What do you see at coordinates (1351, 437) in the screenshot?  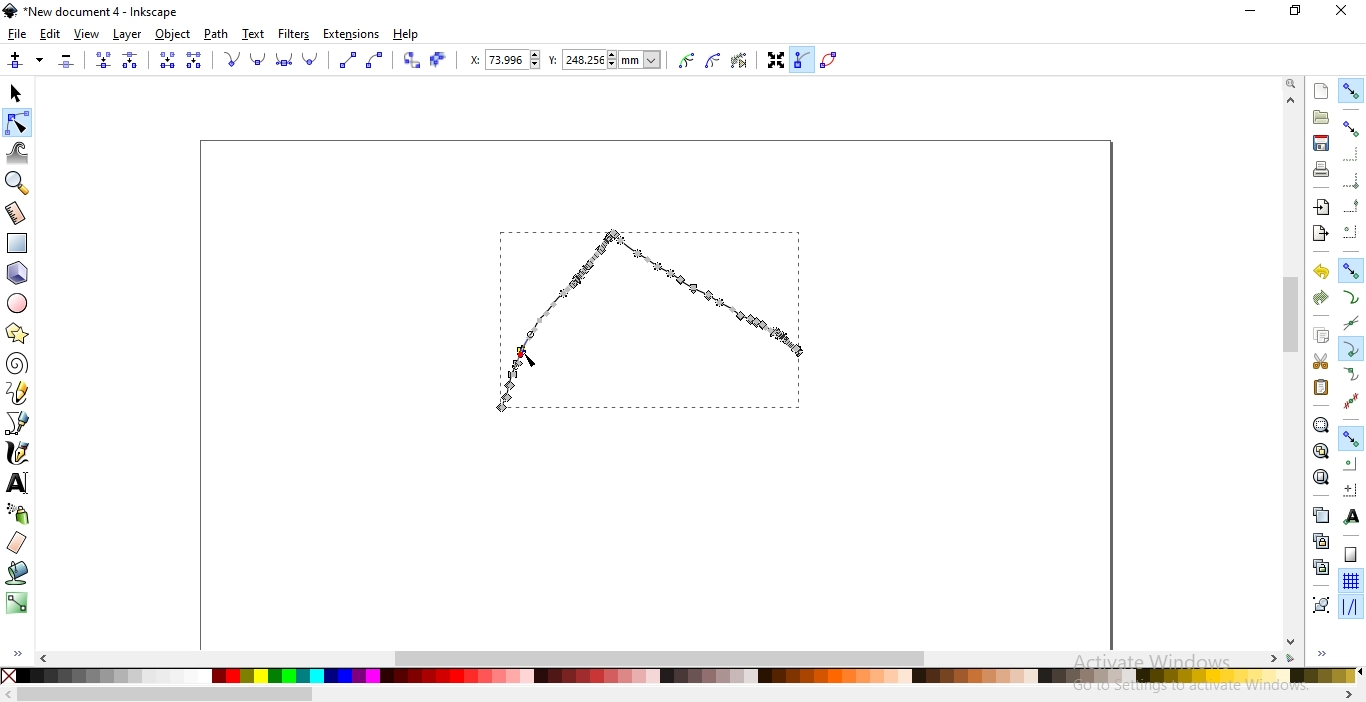 I see `snap other points` at bounding box center [1351, 437].